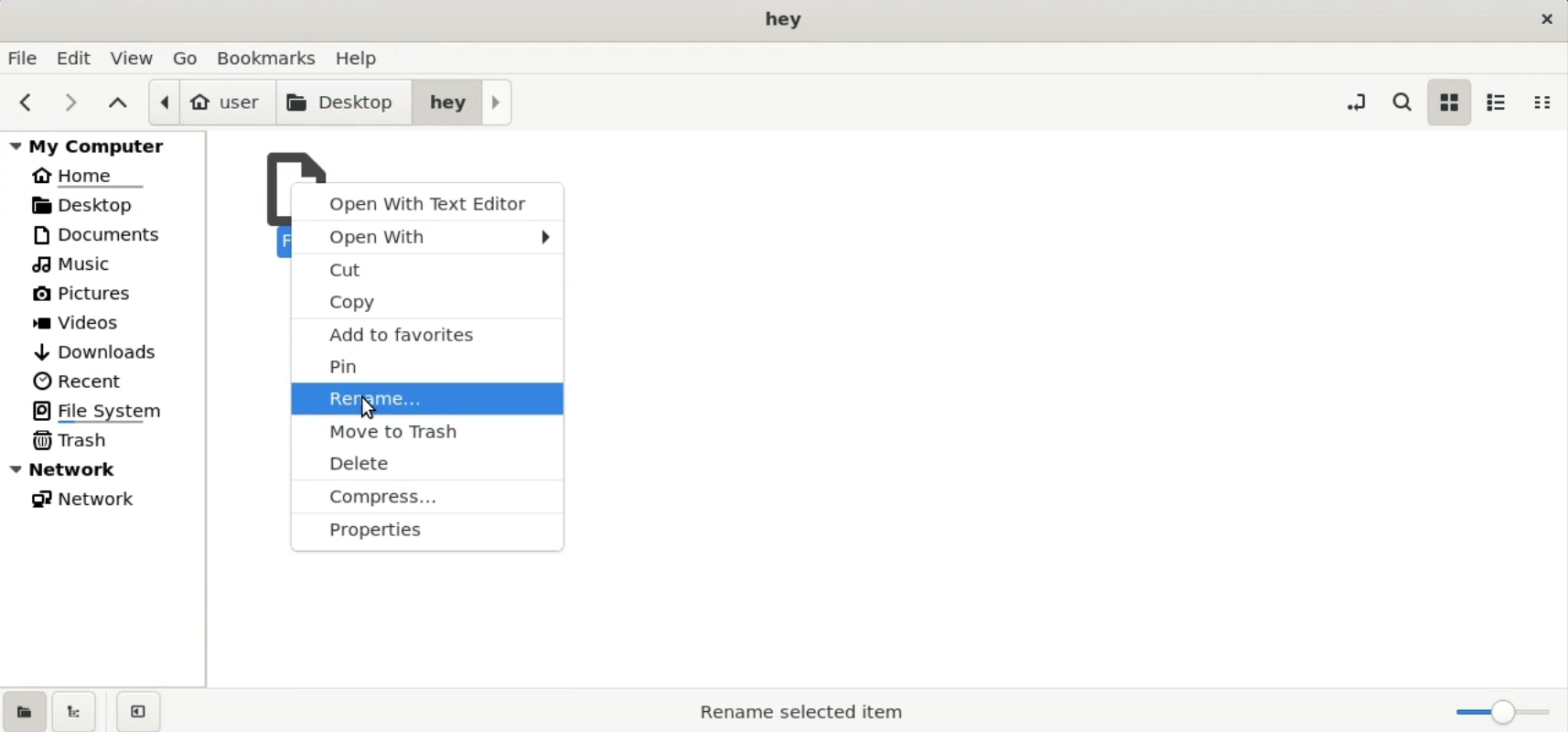  What do you see at coordinates (427, 199) in the screenshot?
I see `open with text editor` at bounding box center [427, 199].